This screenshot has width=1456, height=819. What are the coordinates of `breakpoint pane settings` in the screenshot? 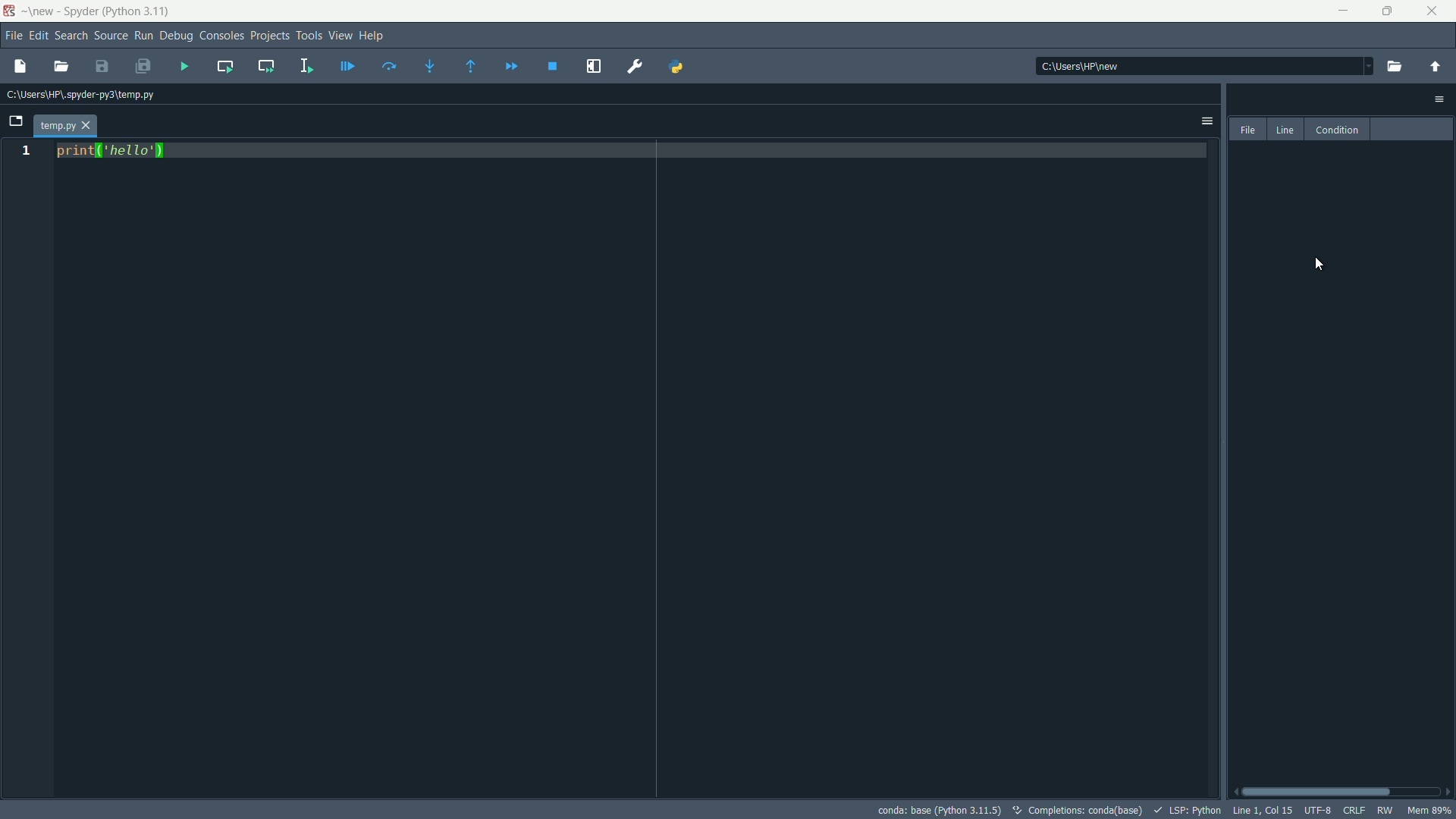 It's located at (1441, 99).